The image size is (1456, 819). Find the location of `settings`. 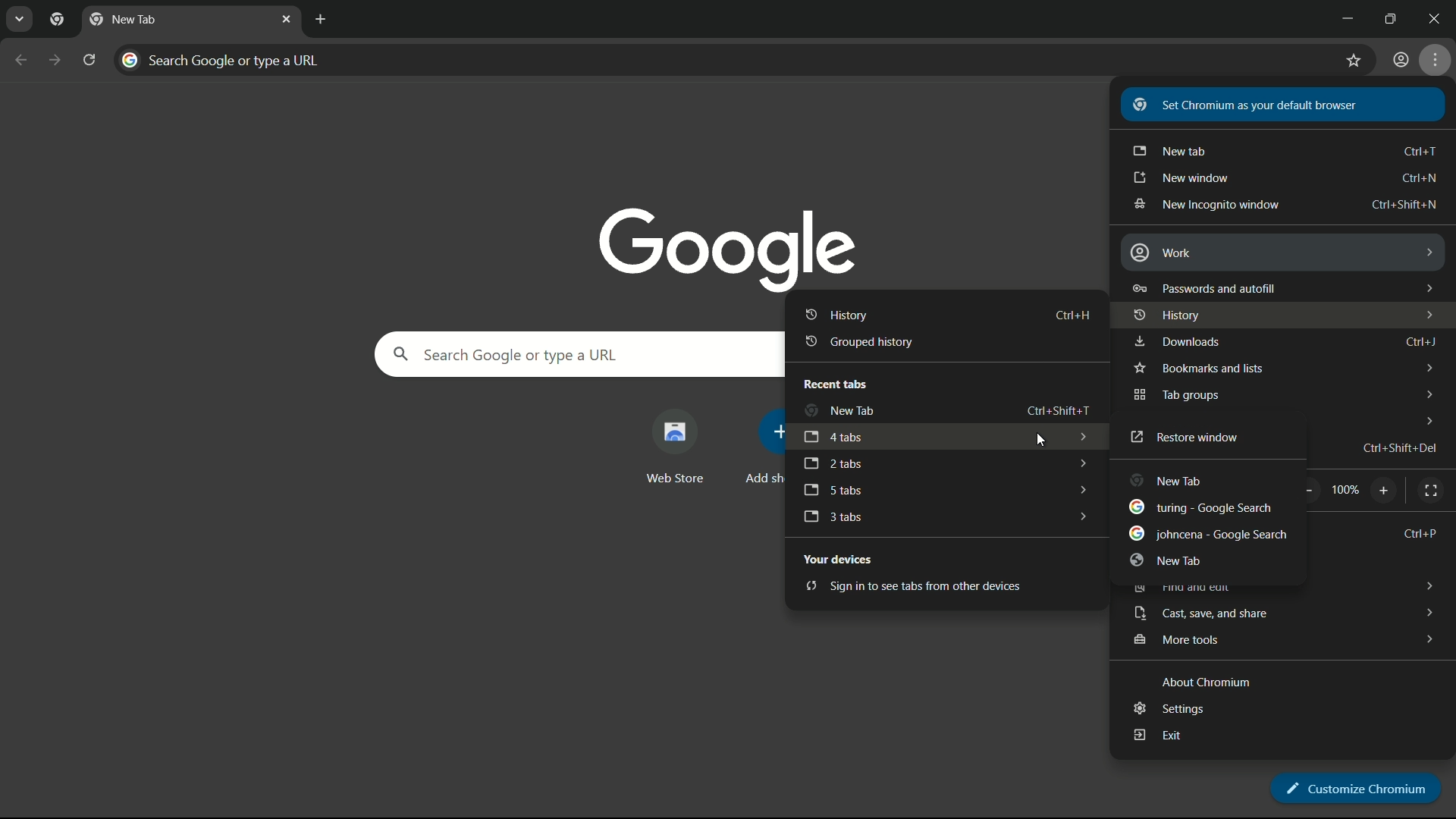

settings is located at coordinates (1437, 59).